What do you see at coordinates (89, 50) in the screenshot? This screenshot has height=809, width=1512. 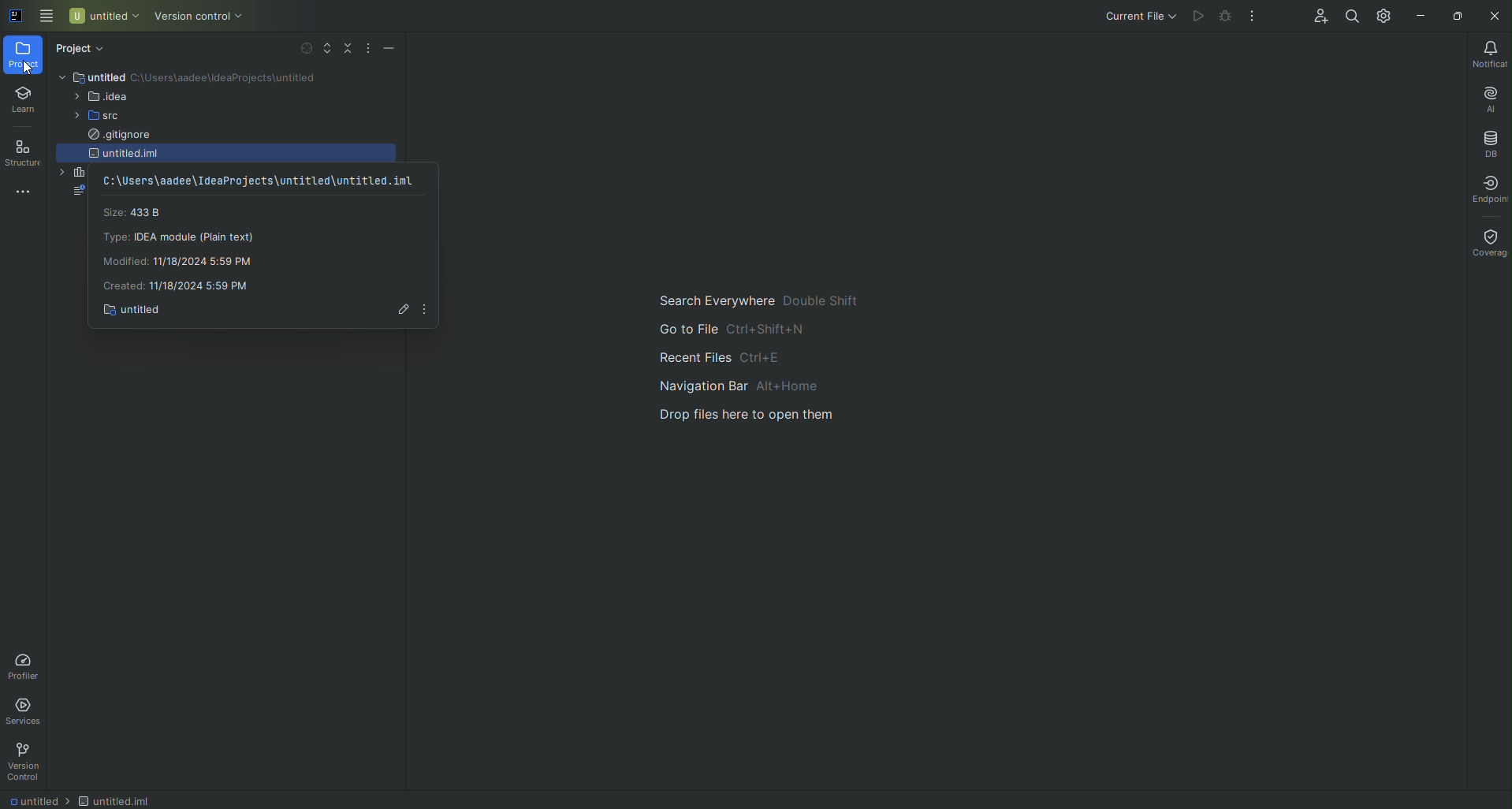 I see `Project` at bounding box center [89, 50].